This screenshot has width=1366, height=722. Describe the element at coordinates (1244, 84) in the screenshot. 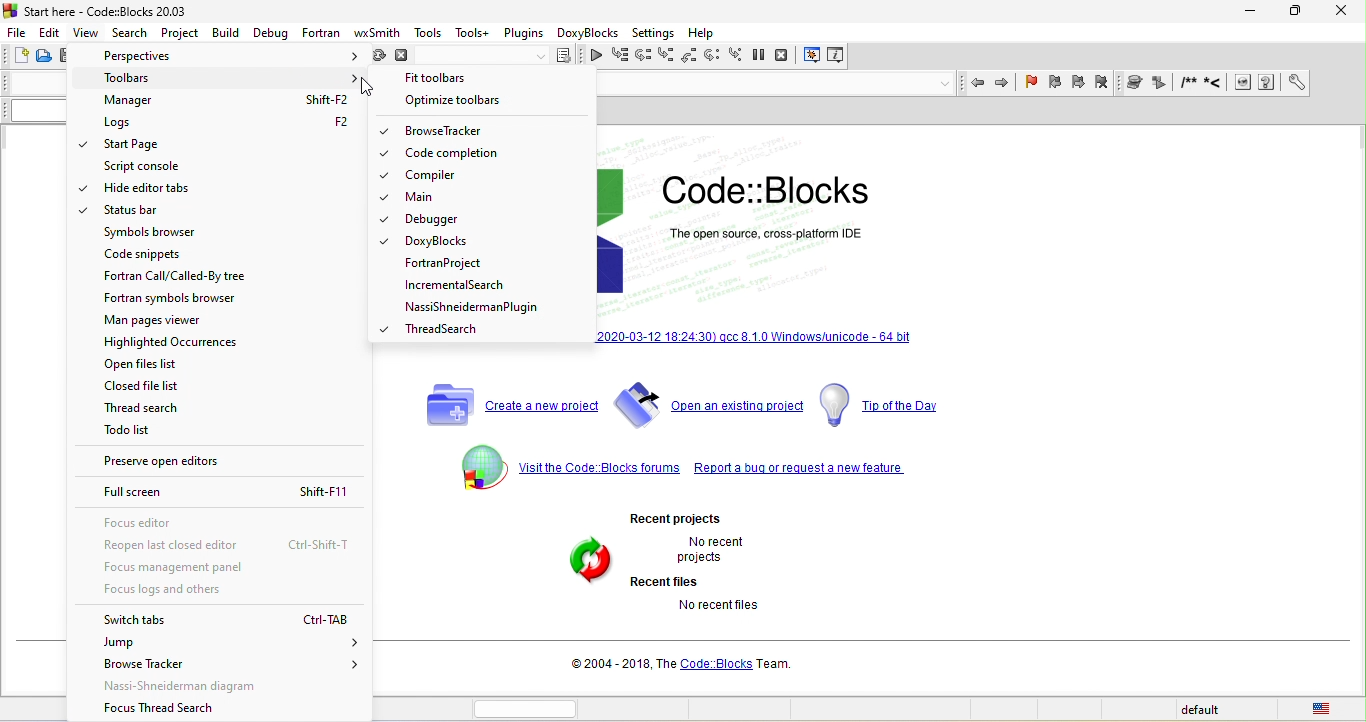

I see `run html ` at that location.